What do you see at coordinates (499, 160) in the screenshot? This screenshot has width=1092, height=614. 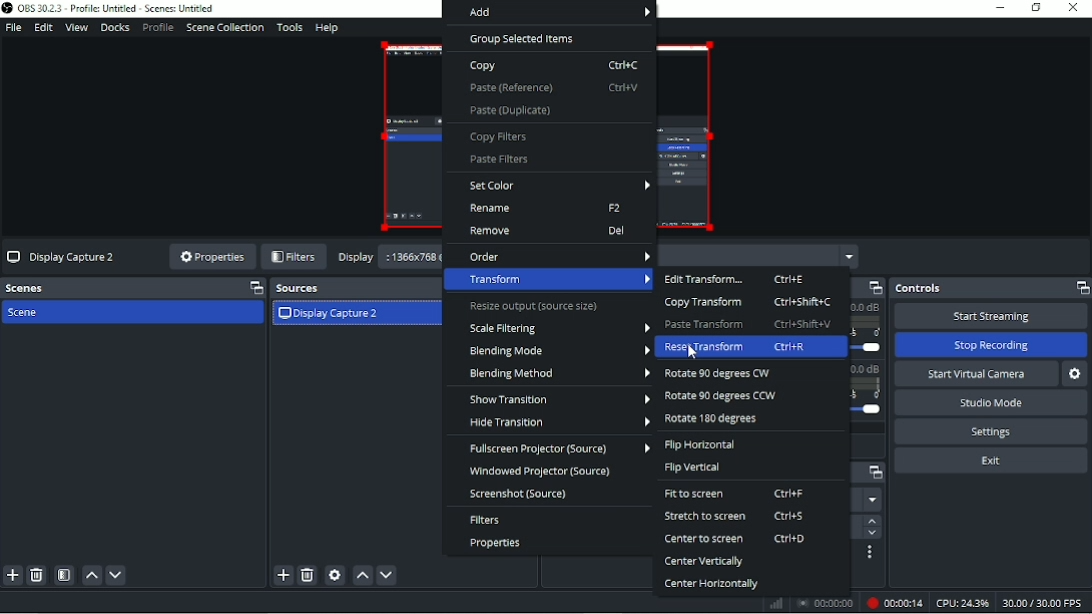 I see `Paste filters` at bounding box center [499, 160].